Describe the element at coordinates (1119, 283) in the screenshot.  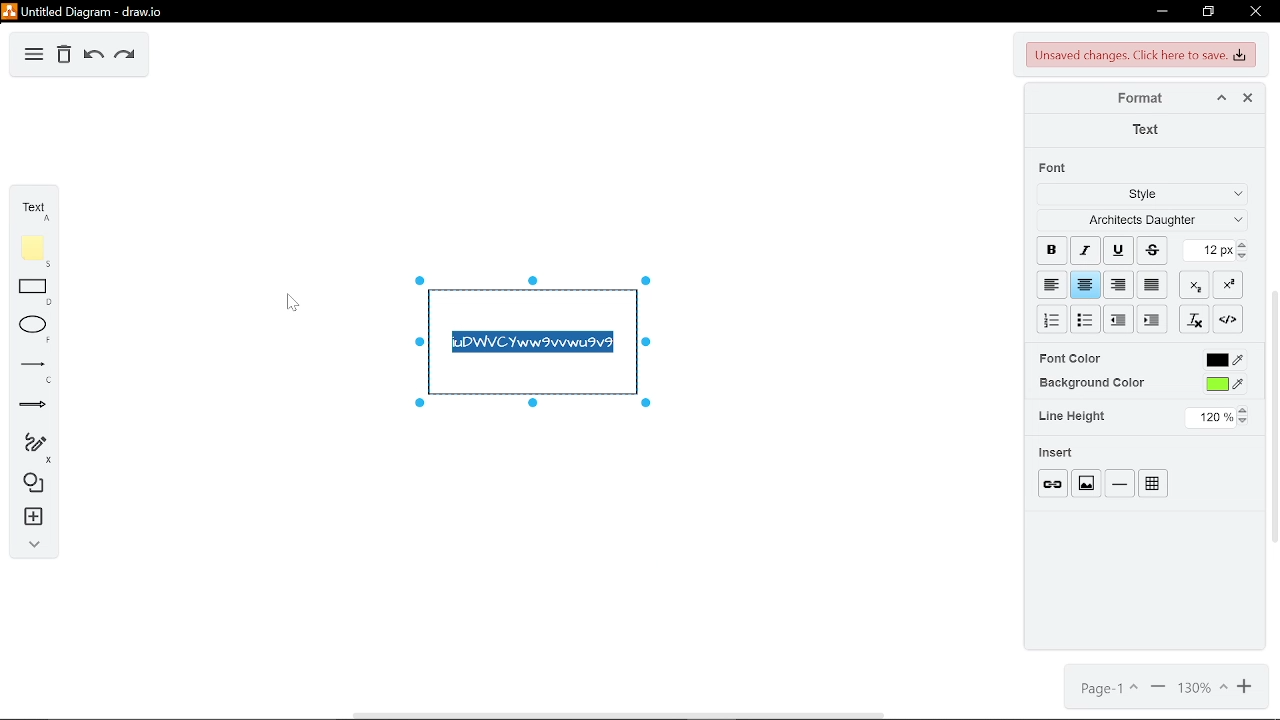
I see `align center` at that location.